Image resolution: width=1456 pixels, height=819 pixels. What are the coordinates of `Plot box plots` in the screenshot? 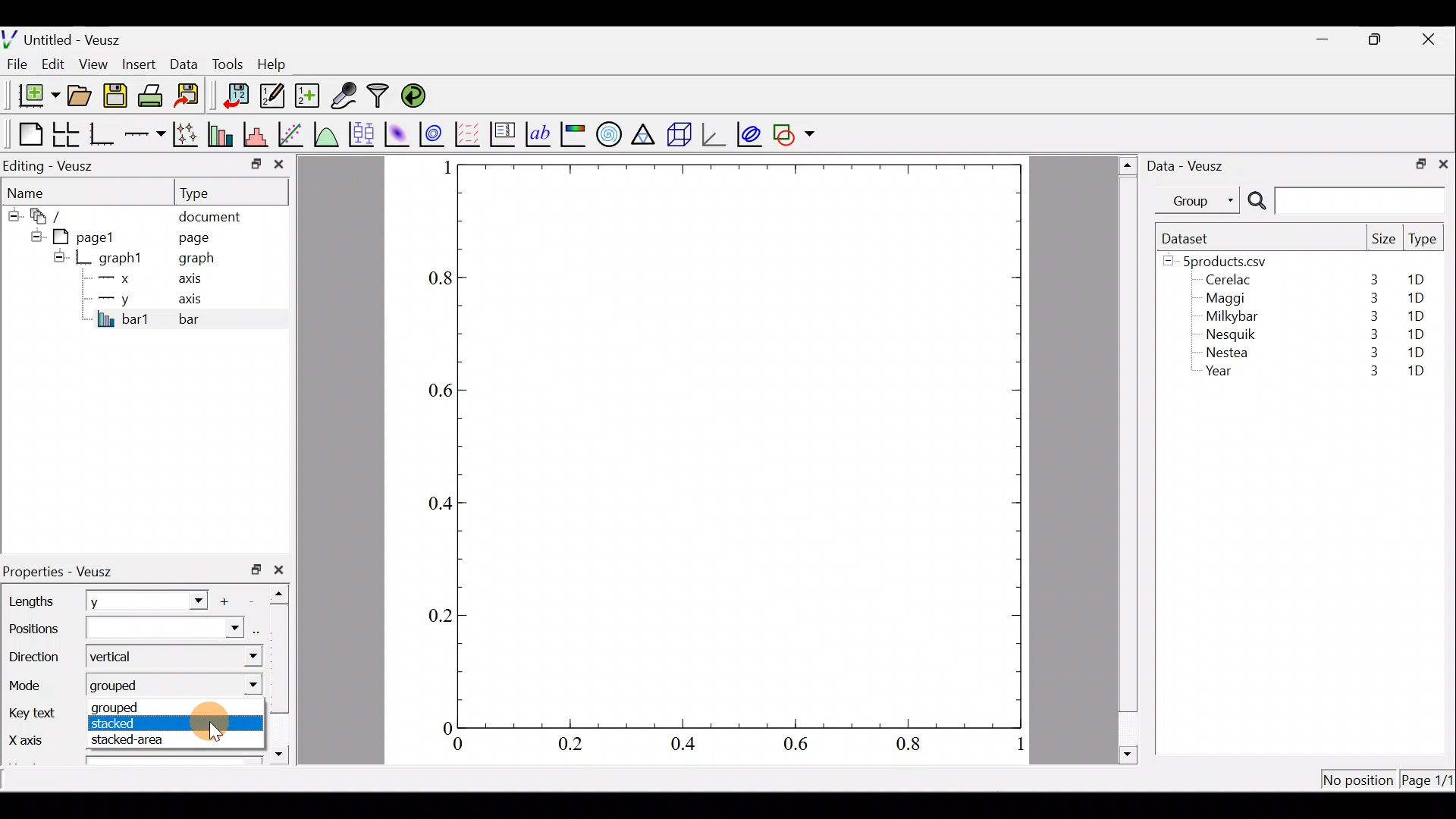 It's located at (363, 133).